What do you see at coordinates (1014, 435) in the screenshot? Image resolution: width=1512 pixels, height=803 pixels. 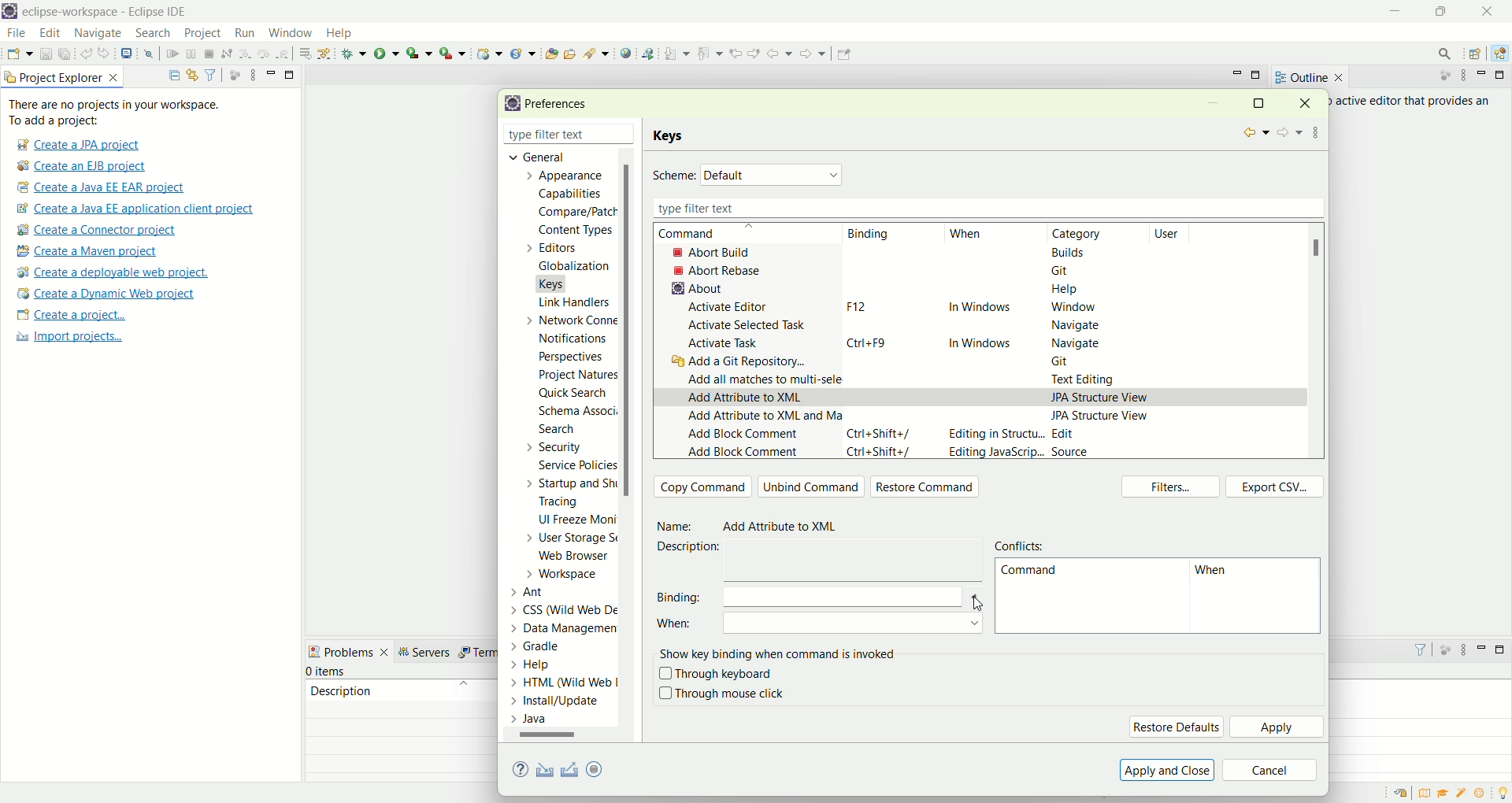 I see `editing in structure...Edit` at bounding box center [1014, 435].